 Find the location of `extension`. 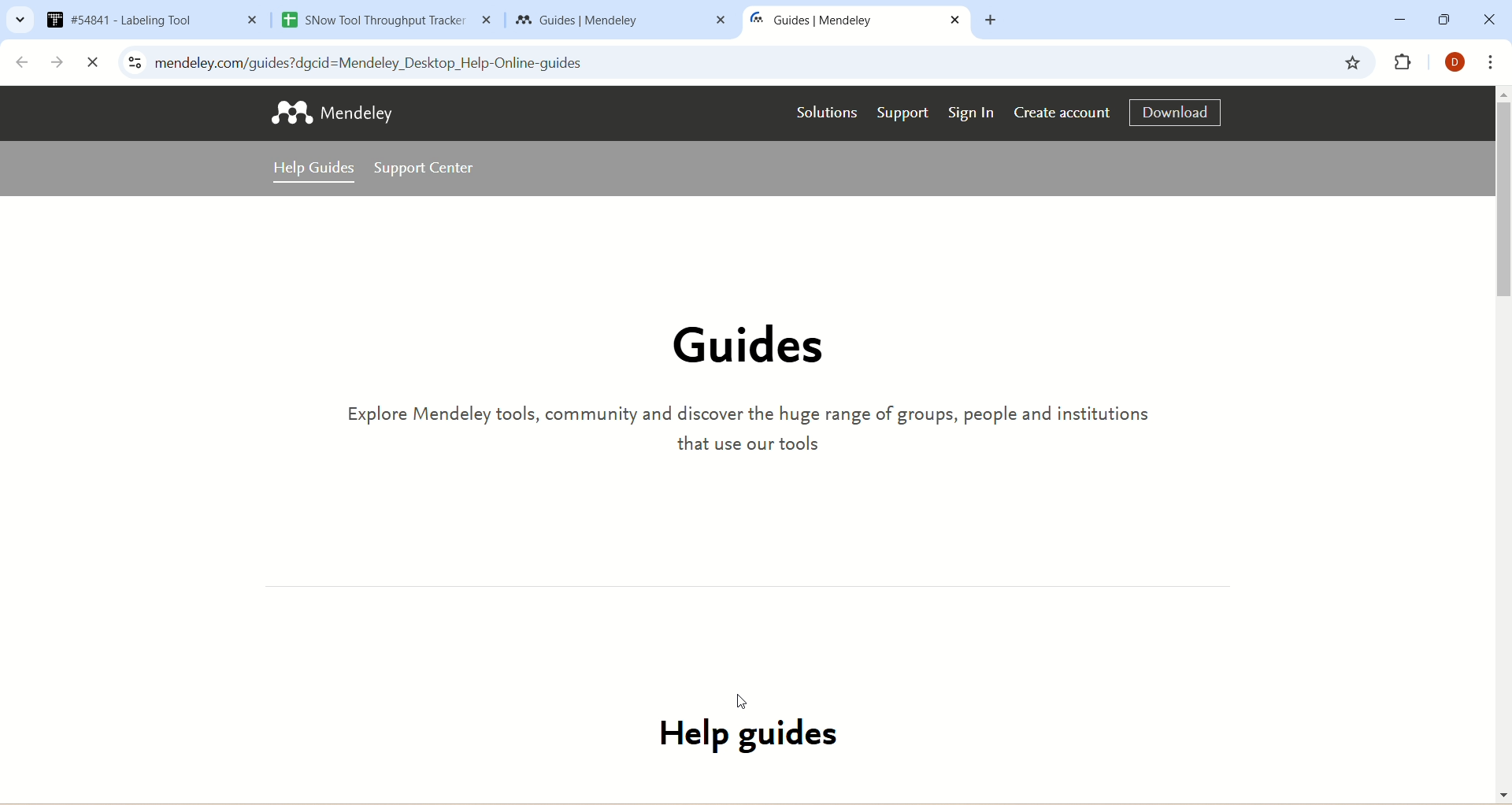

extension is located at coordinates (1400, 65).